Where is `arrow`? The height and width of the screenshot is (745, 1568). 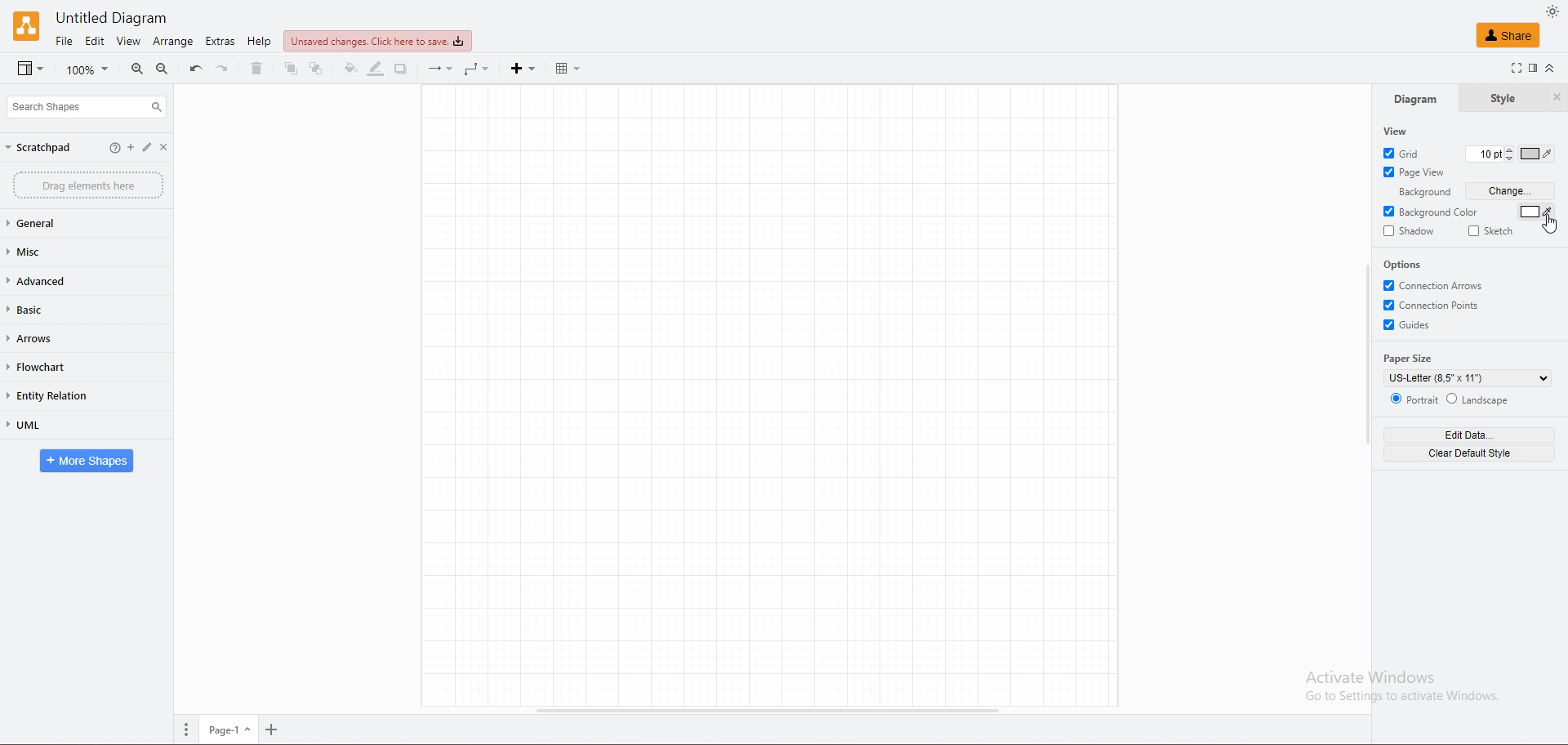 arrow is located at coordinates (438, 70).